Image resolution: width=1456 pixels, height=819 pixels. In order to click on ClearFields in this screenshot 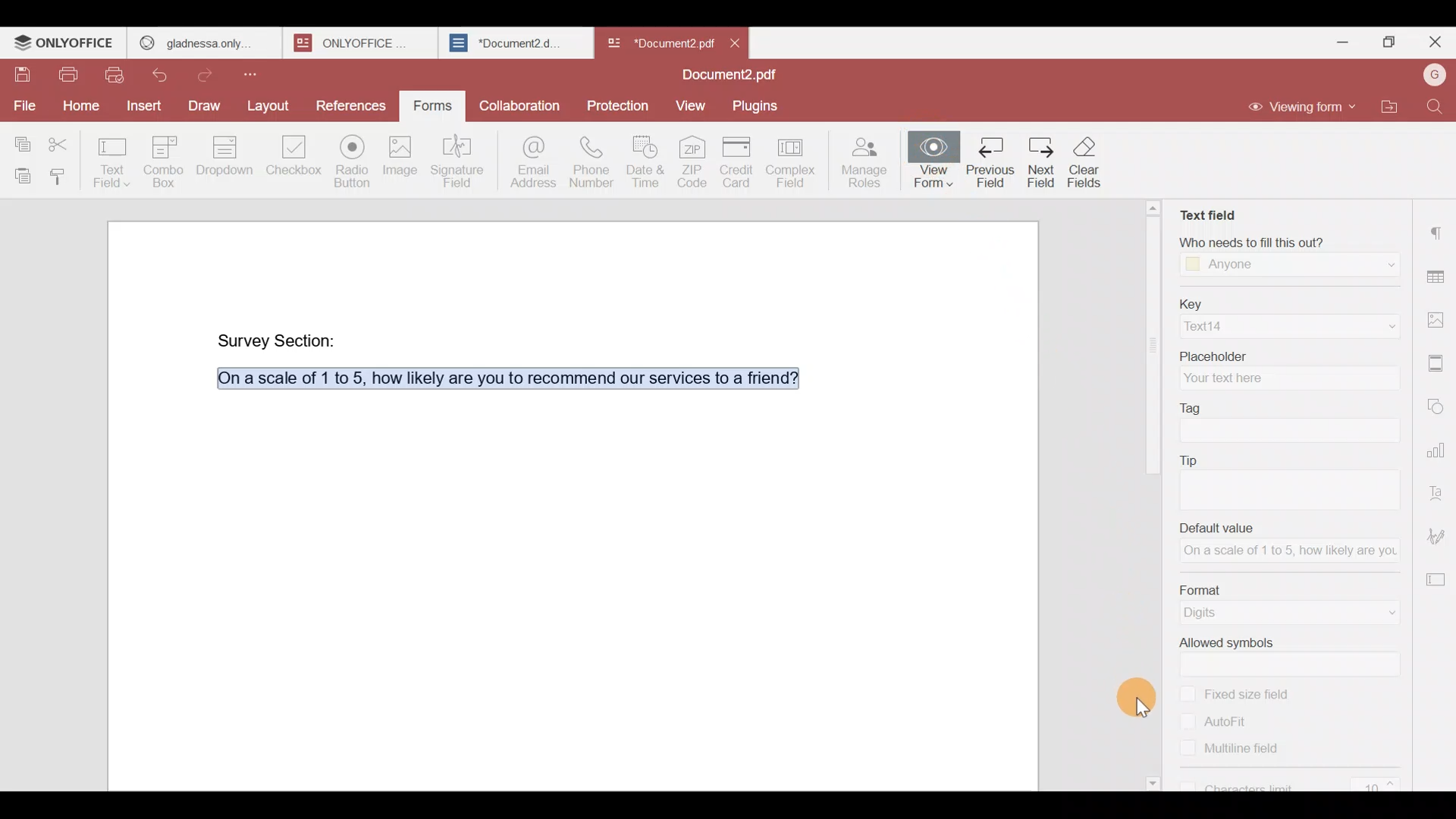, I will do `click(1094, 166)`.